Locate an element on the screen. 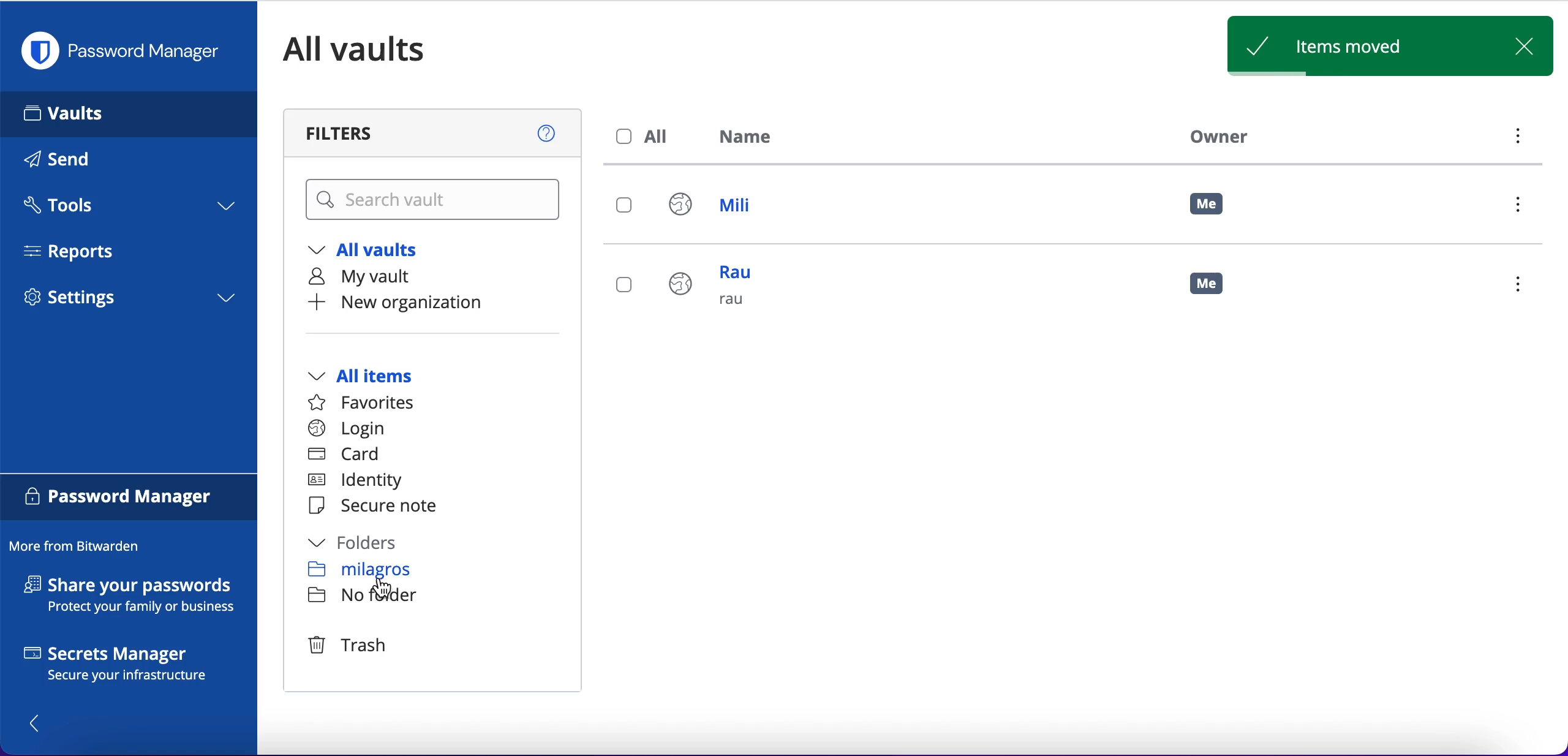 The width and height of the screenshot is (1568, 756). share your passwords protect your family or business is located at coordinates (136, 597).